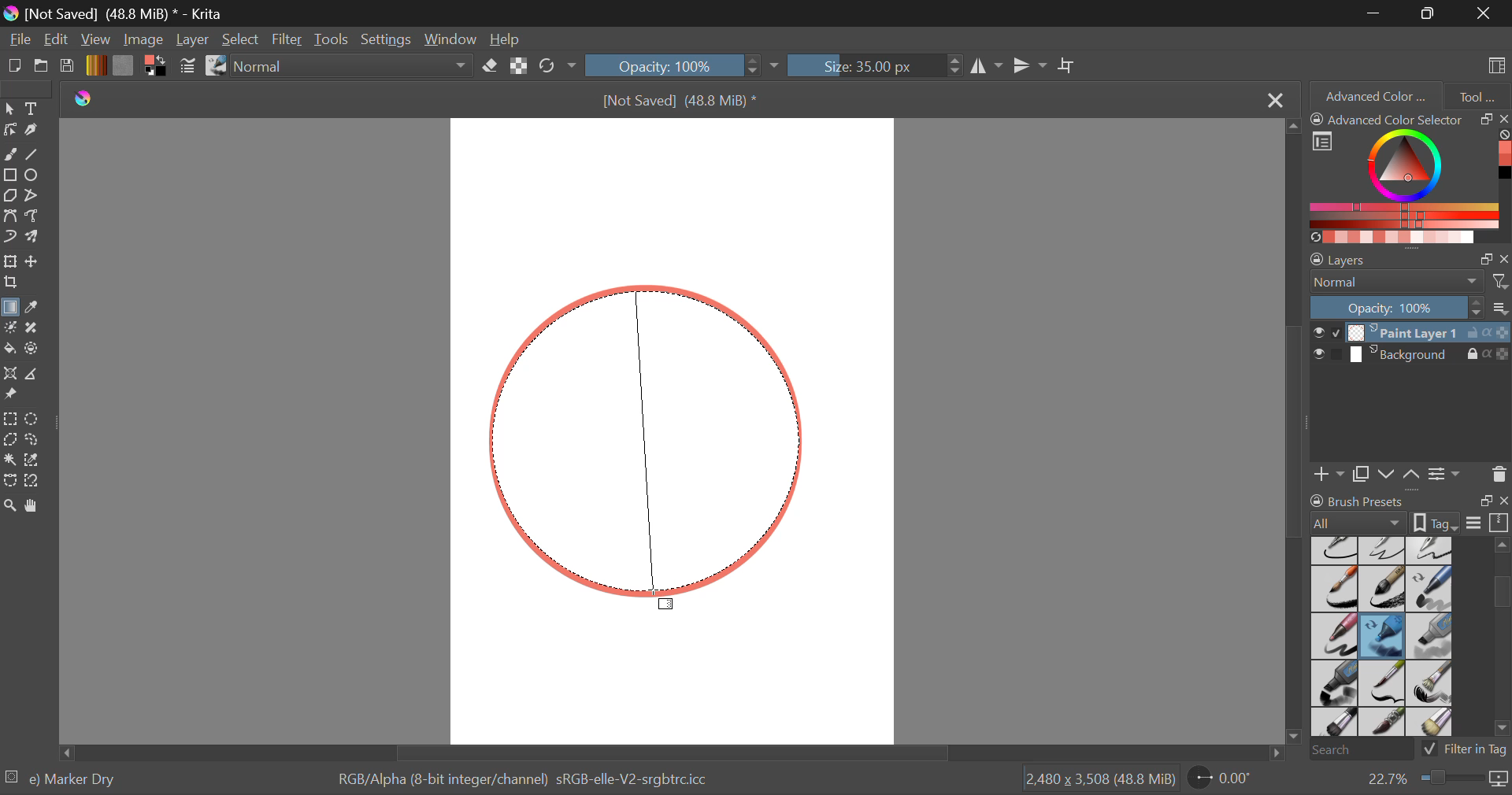  What do you see at coordinates (678, 99) in the screenshot?
I see `[Not Saved] (48.8 MiB) *` at bounding box center [678, 99].